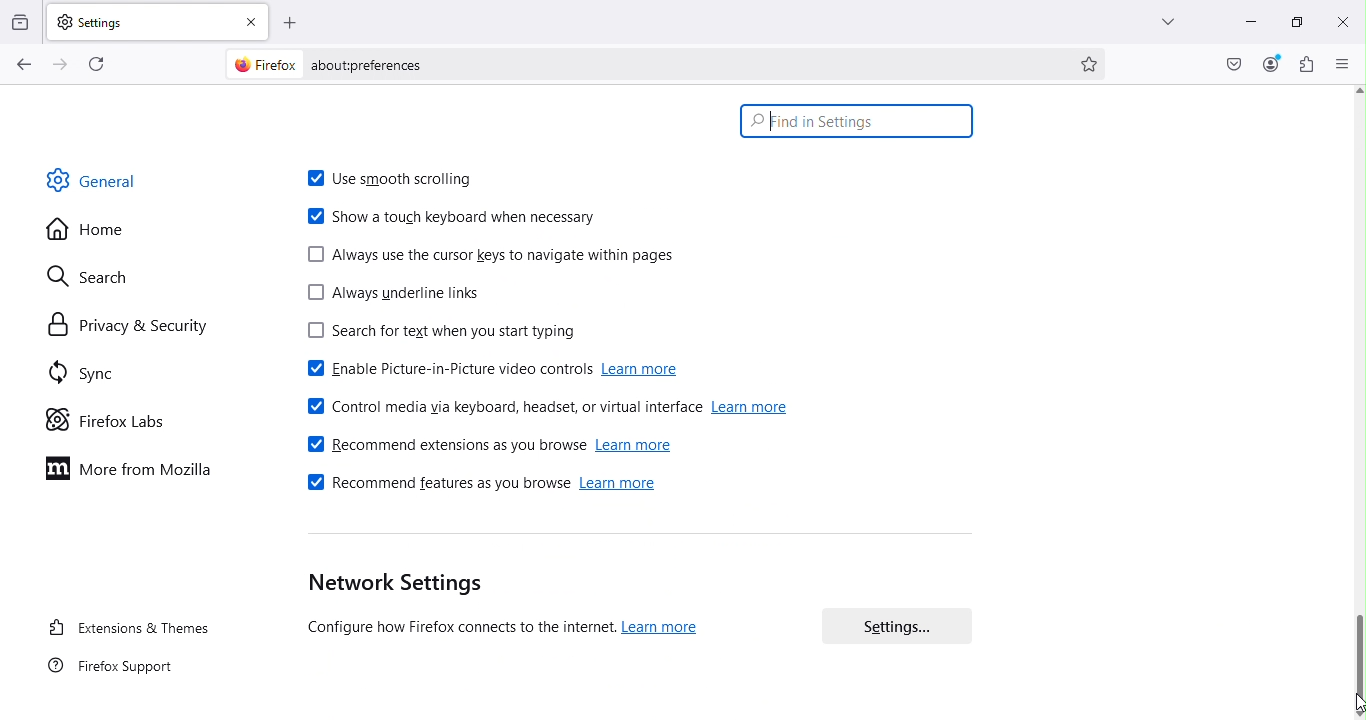  What do you see at coordinates (393, 174) in the screenshot?
I see `Use smooth scrolling` at bounding box center [393, 174].